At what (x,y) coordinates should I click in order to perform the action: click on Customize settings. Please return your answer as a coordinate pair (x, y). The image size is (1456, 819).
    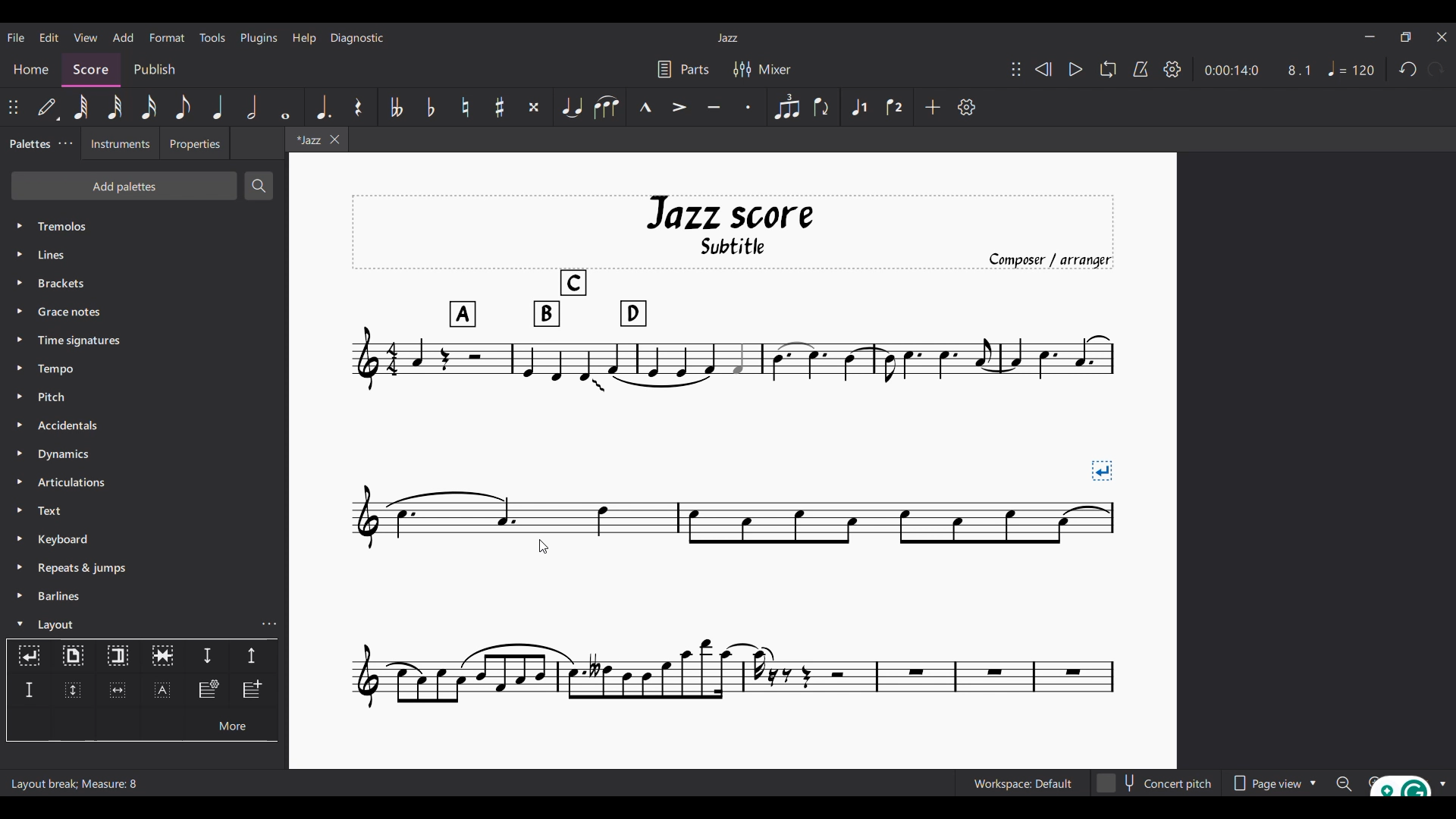
    Looking at the image, I should click on (966, 107).